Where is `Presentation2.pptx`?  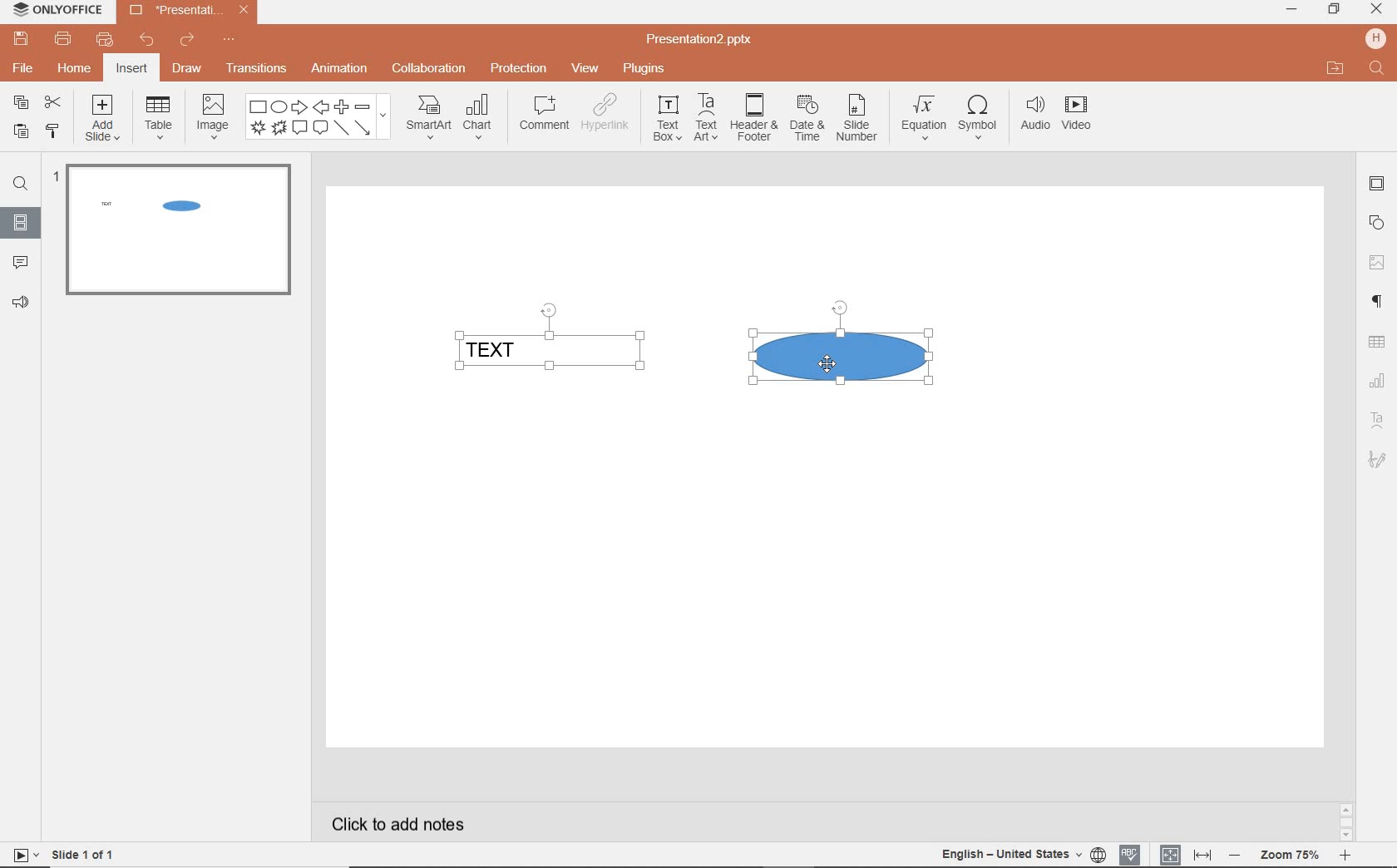
Presentation2.pptx is located at coordinates (700, 40).